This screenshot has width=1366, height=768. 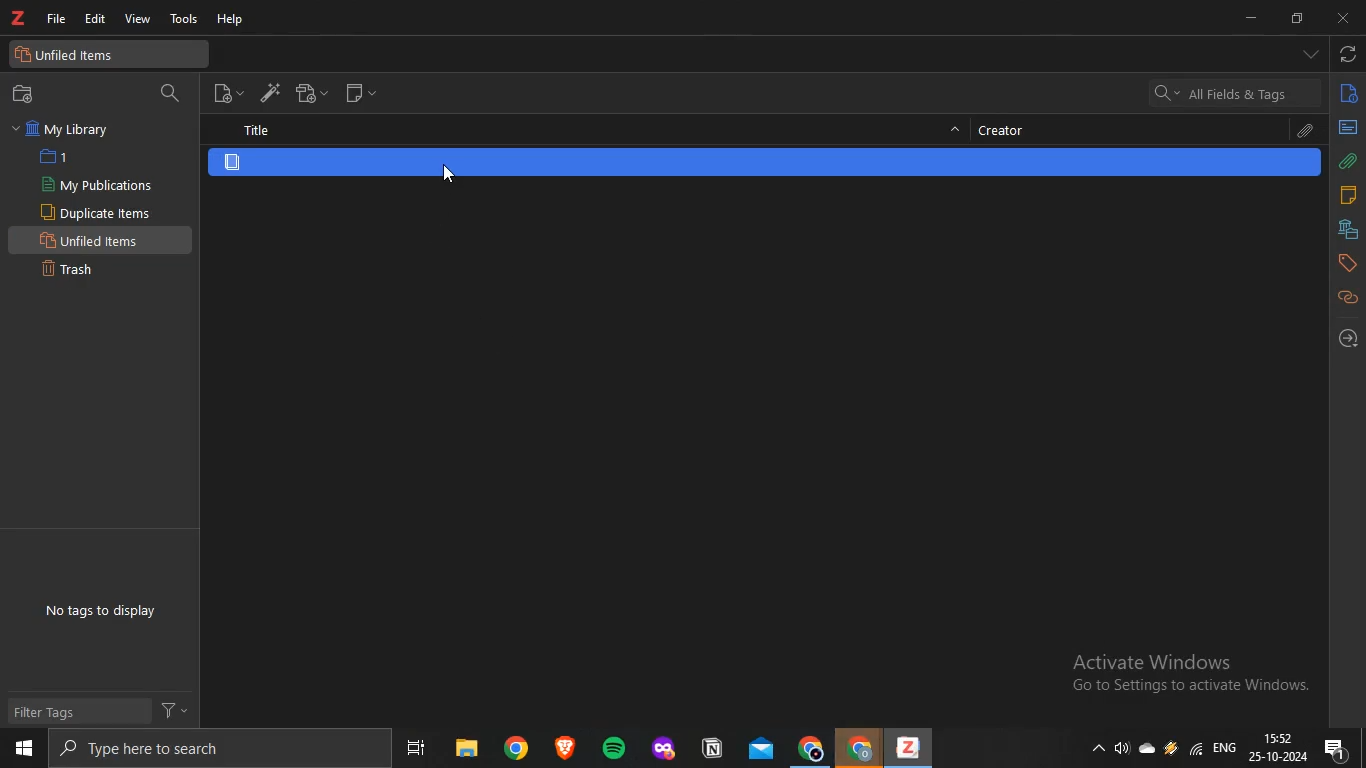 What do you see at coordinates (1347, 127) in the screenshot?
I see `abstract` at bounding box center [1347, 127].